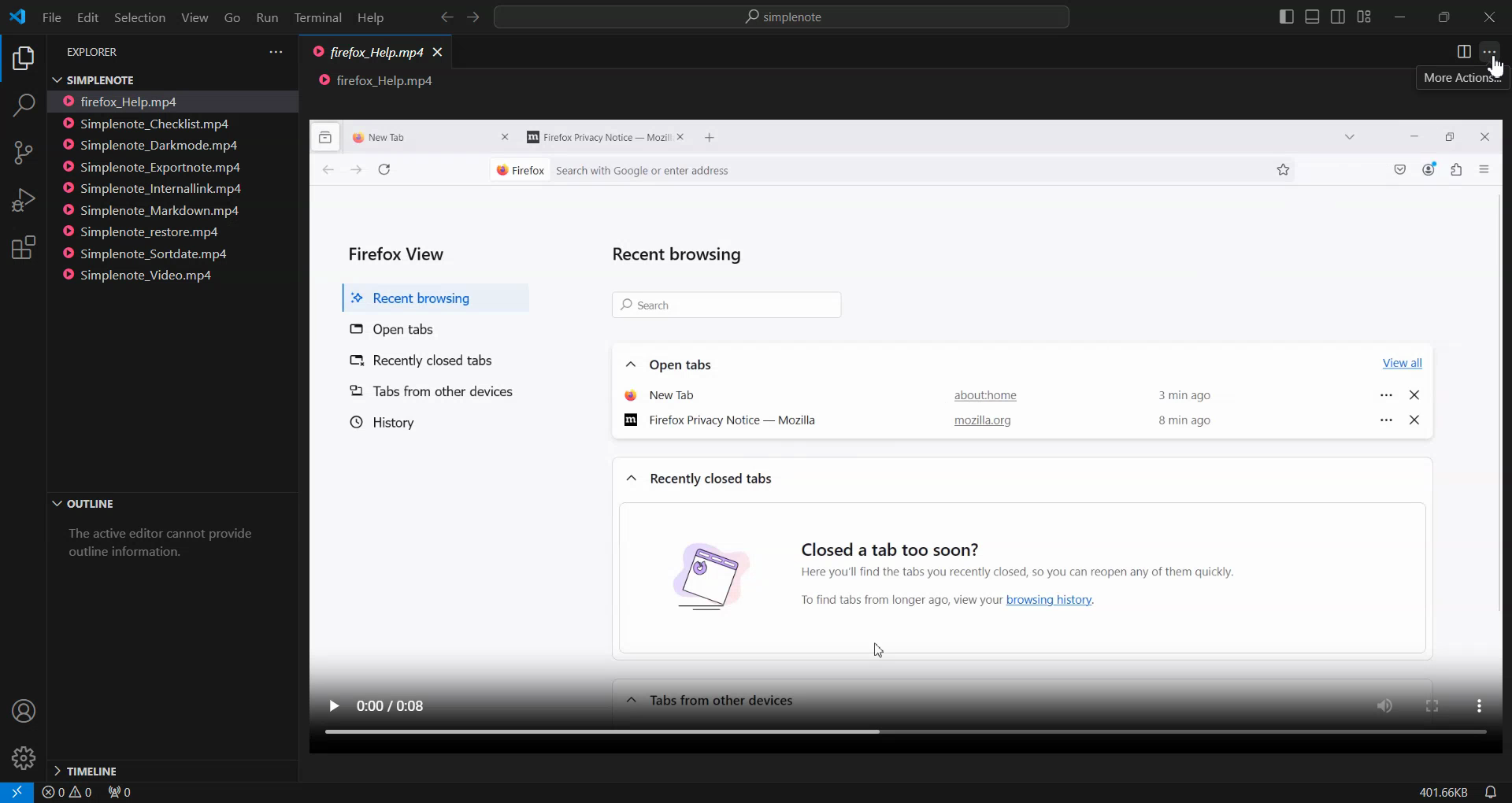 The image size is (1512, 803). I want to click on Edit, so click(87, 17).